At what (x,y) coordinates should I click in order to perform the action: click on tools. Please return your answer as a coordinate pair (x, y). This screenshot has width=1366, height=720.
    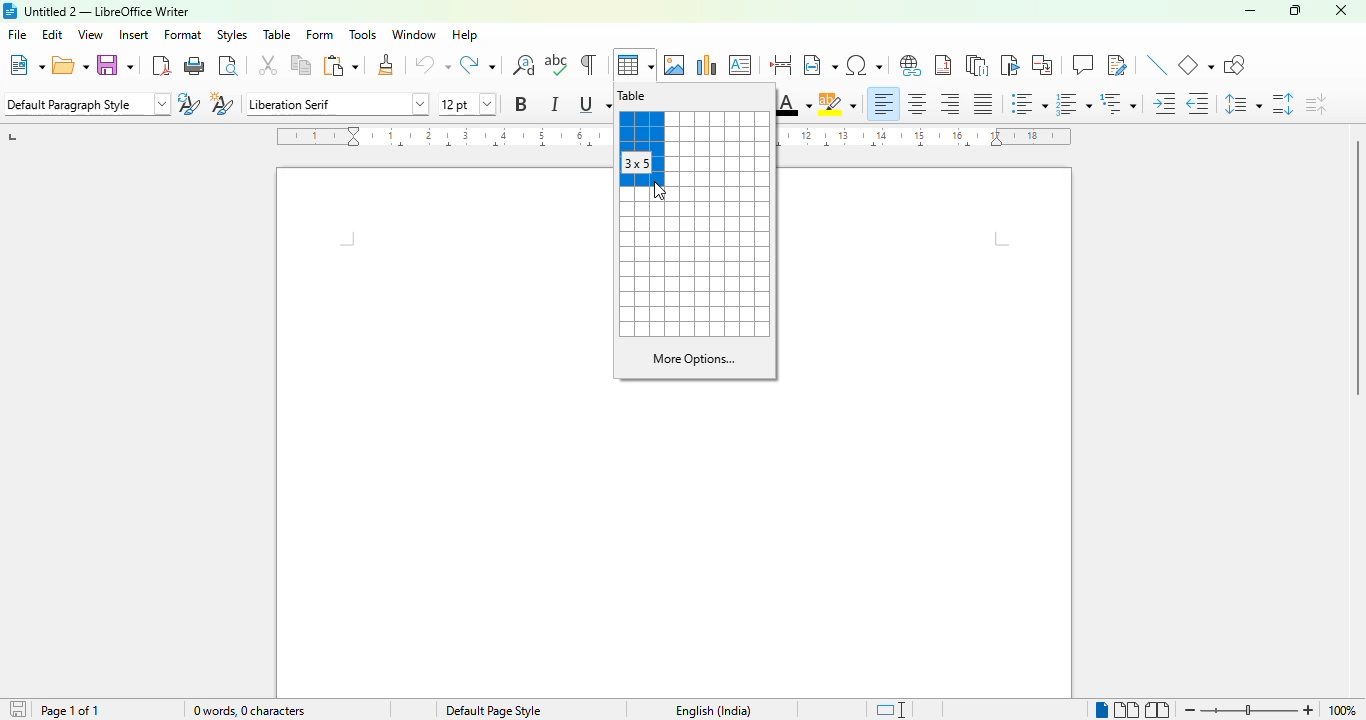
    Looking at the image, I should click on (364, 34).